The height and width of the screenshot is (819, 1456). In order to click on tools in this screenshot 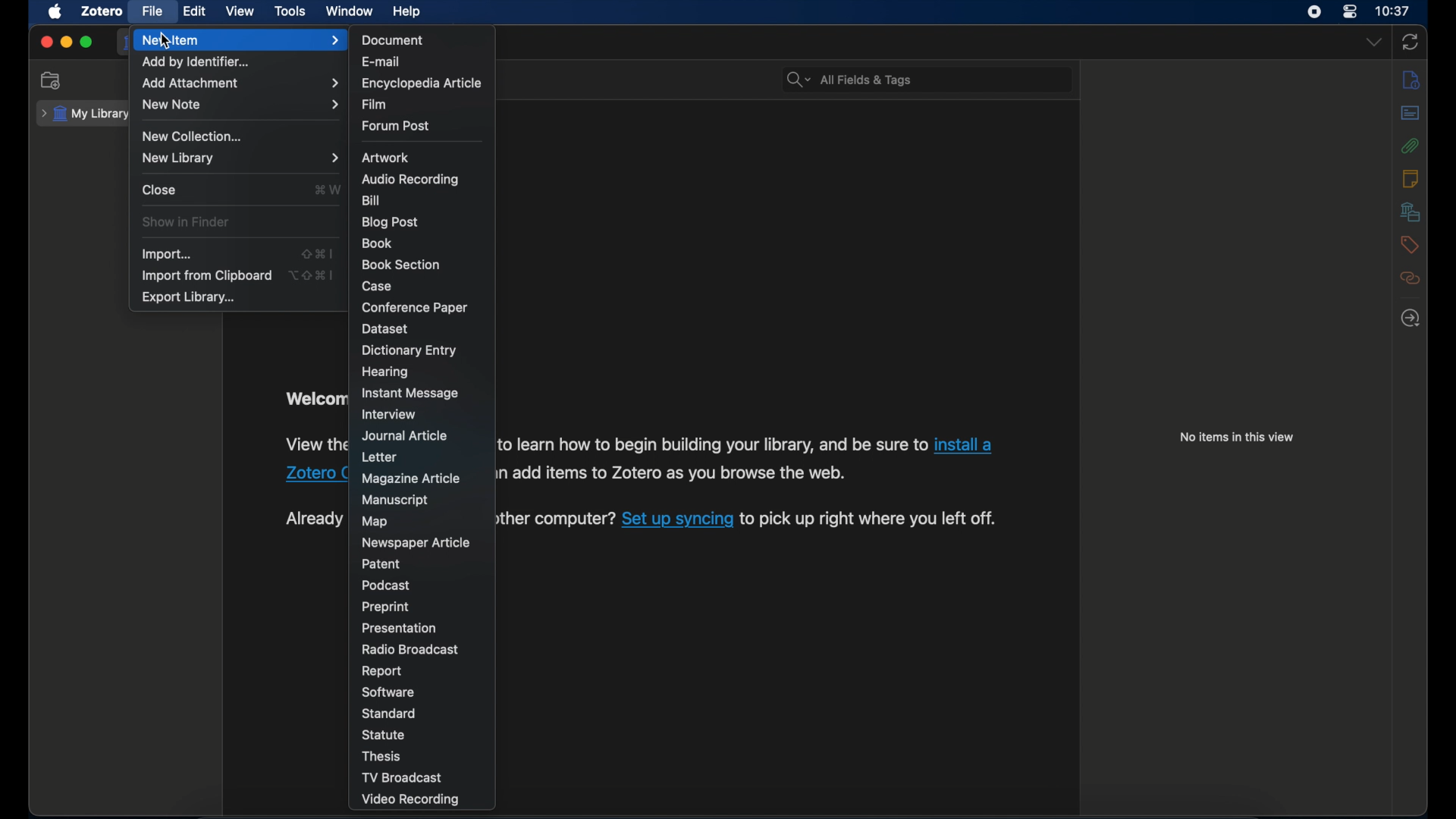, I will do `click(290, 11)`.